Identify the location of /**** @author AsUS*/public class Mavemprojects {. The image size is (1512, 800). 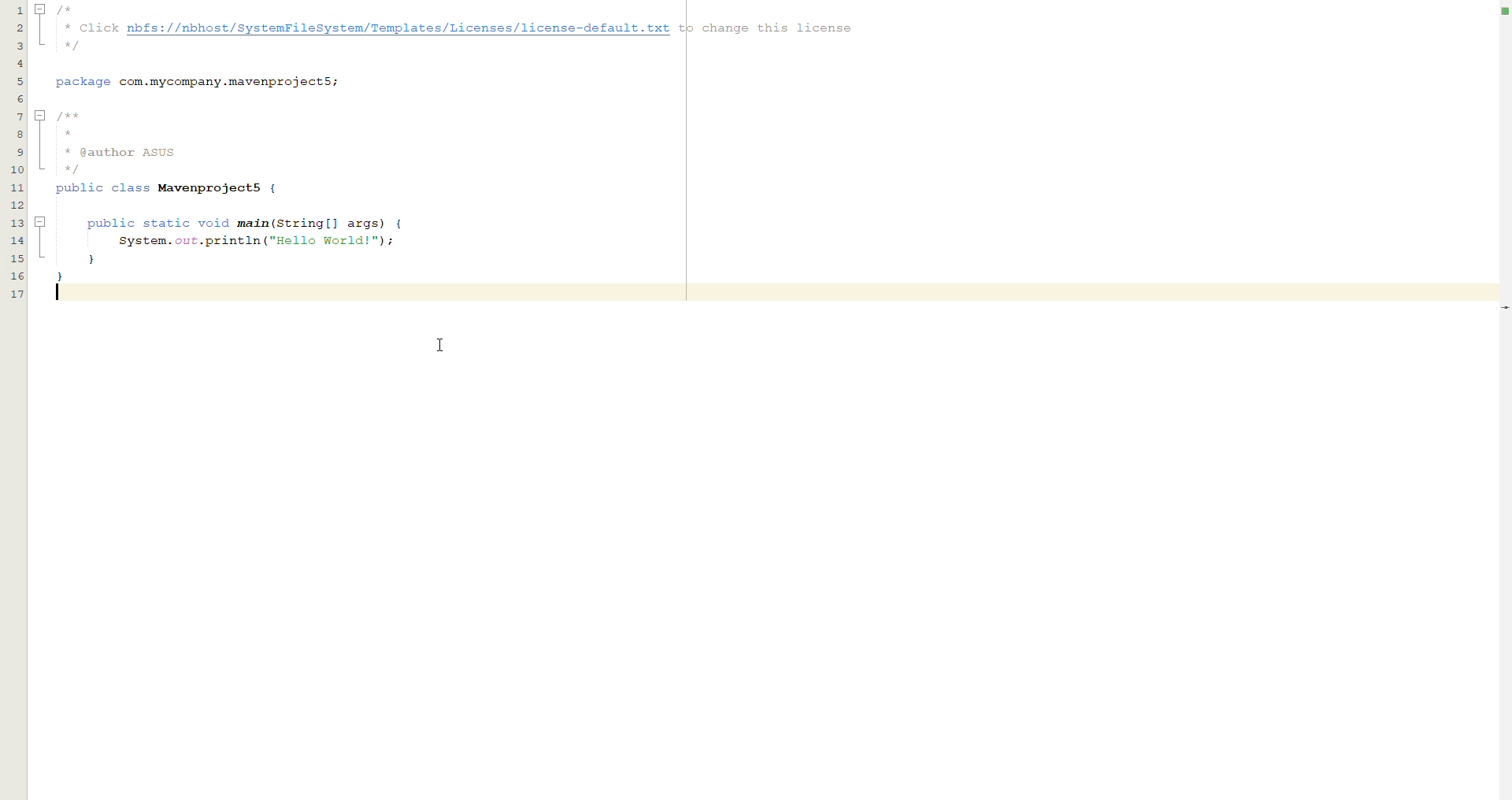
(173, 151).